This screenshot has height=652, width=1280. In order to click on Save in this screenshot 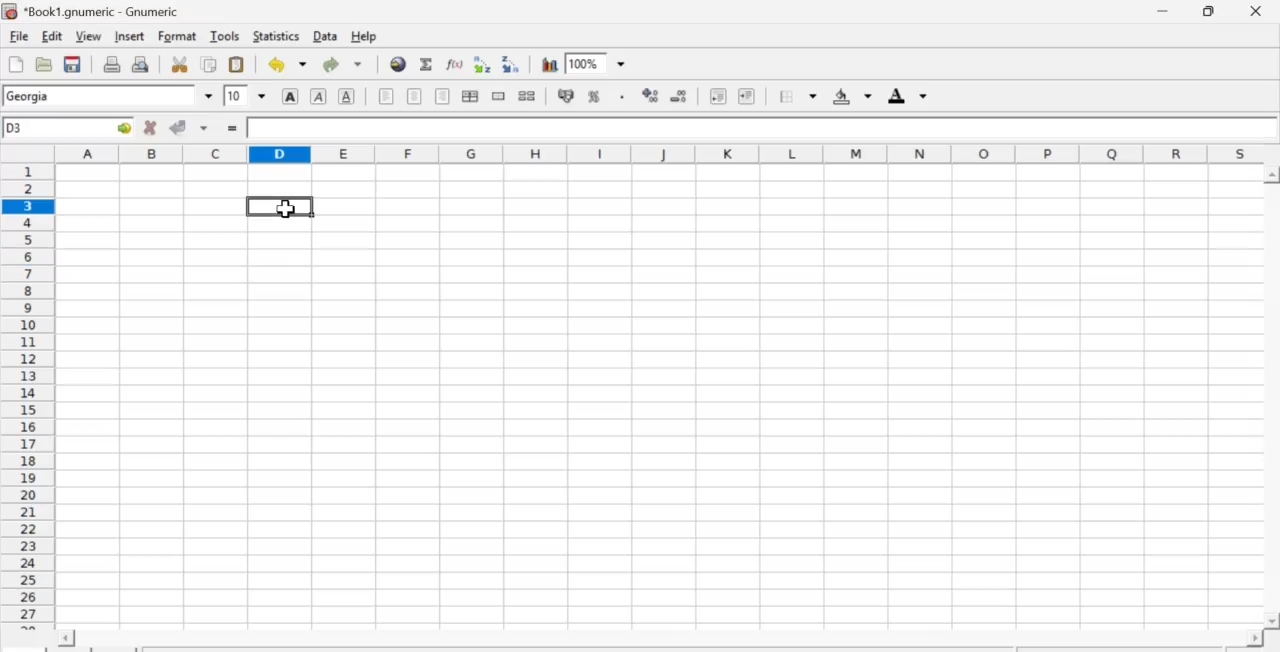, I will do `click(72, 65)`.